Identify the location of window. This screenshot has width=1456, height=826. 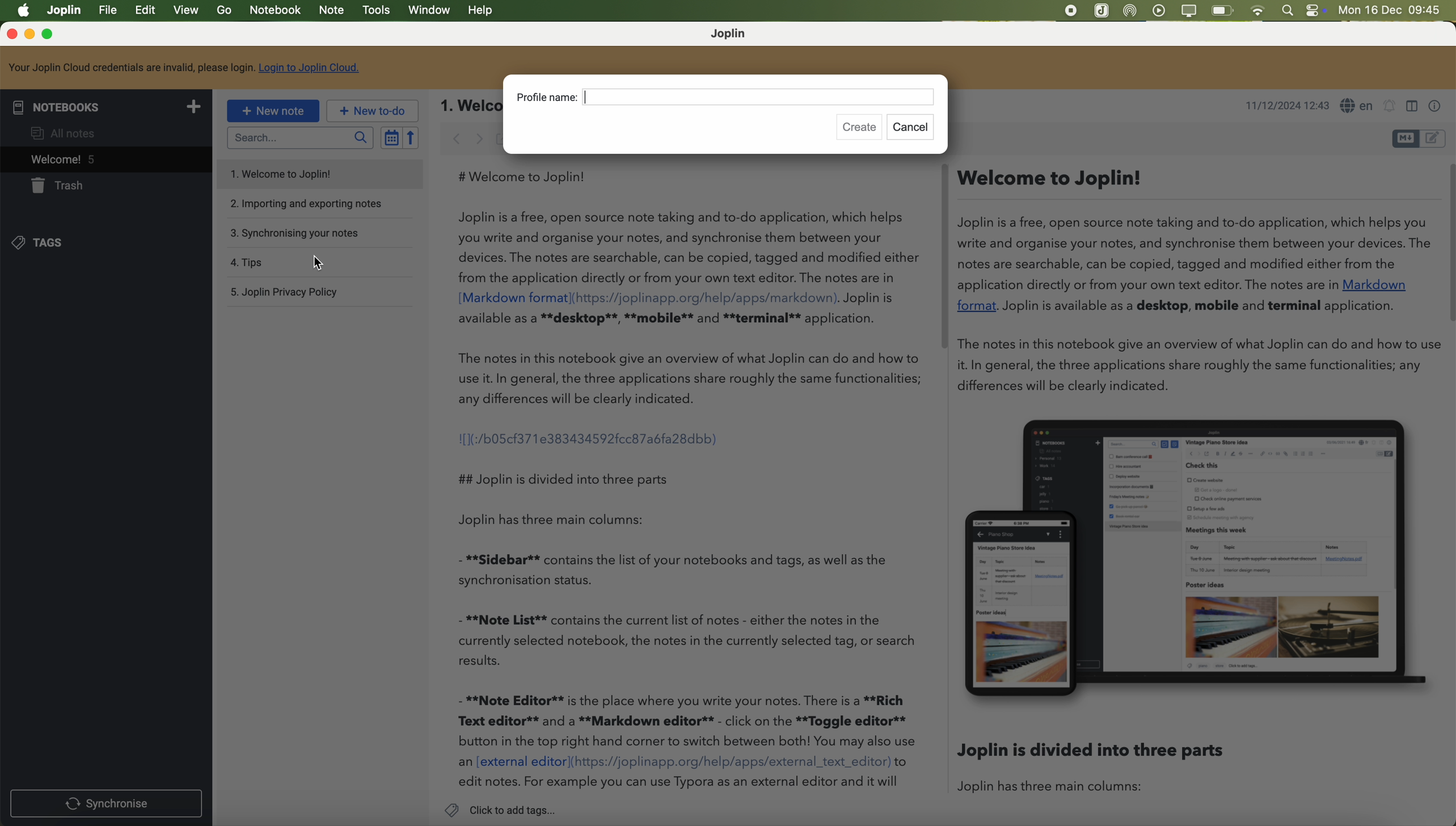
(429, 11).